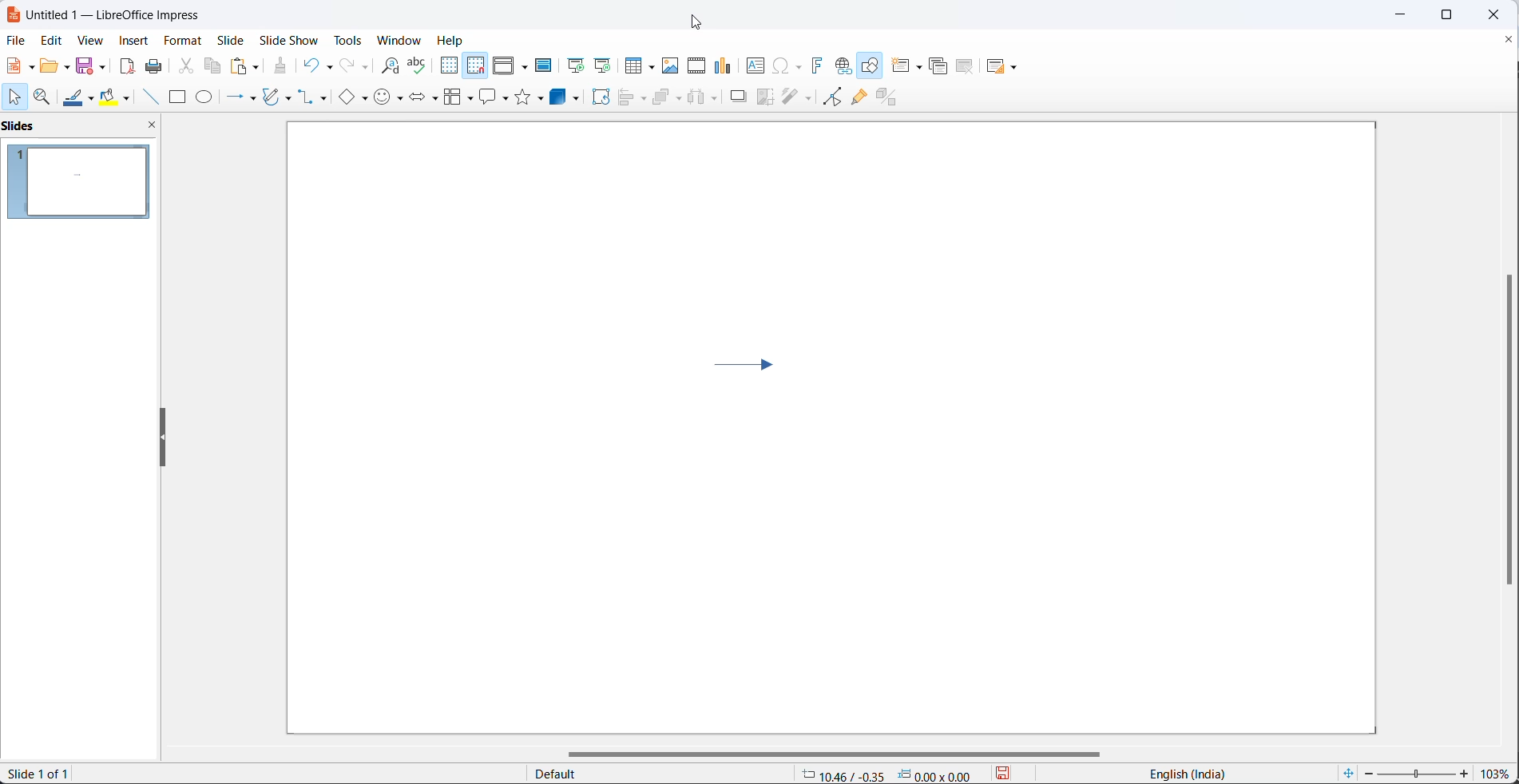  What do you see at coordinates (160, 438) in the screenshot?
I see `reszie` at bounding box center [160, 438].